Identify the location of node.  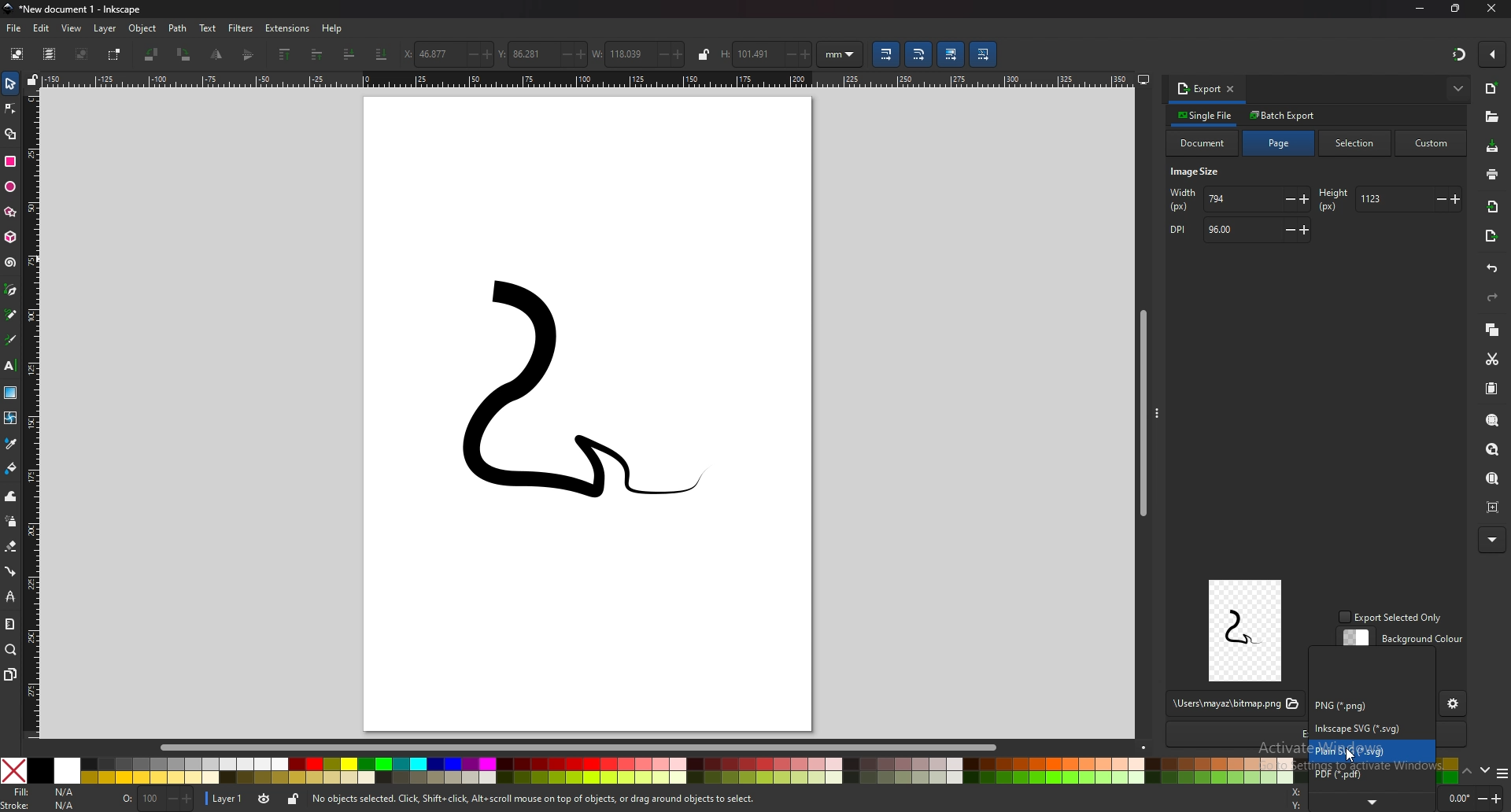
(10, 109).